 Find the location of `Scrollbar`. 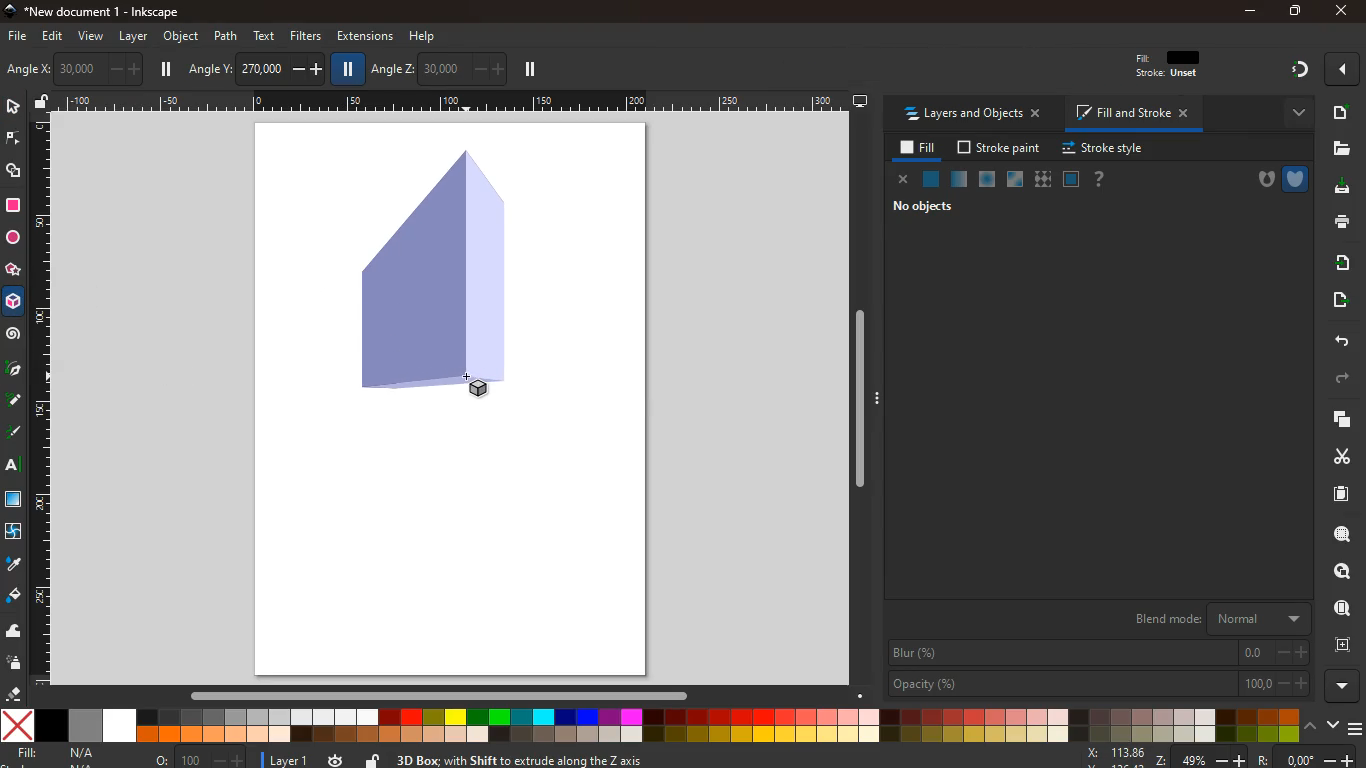

Scrollbar is located at coordinates (458, 694).